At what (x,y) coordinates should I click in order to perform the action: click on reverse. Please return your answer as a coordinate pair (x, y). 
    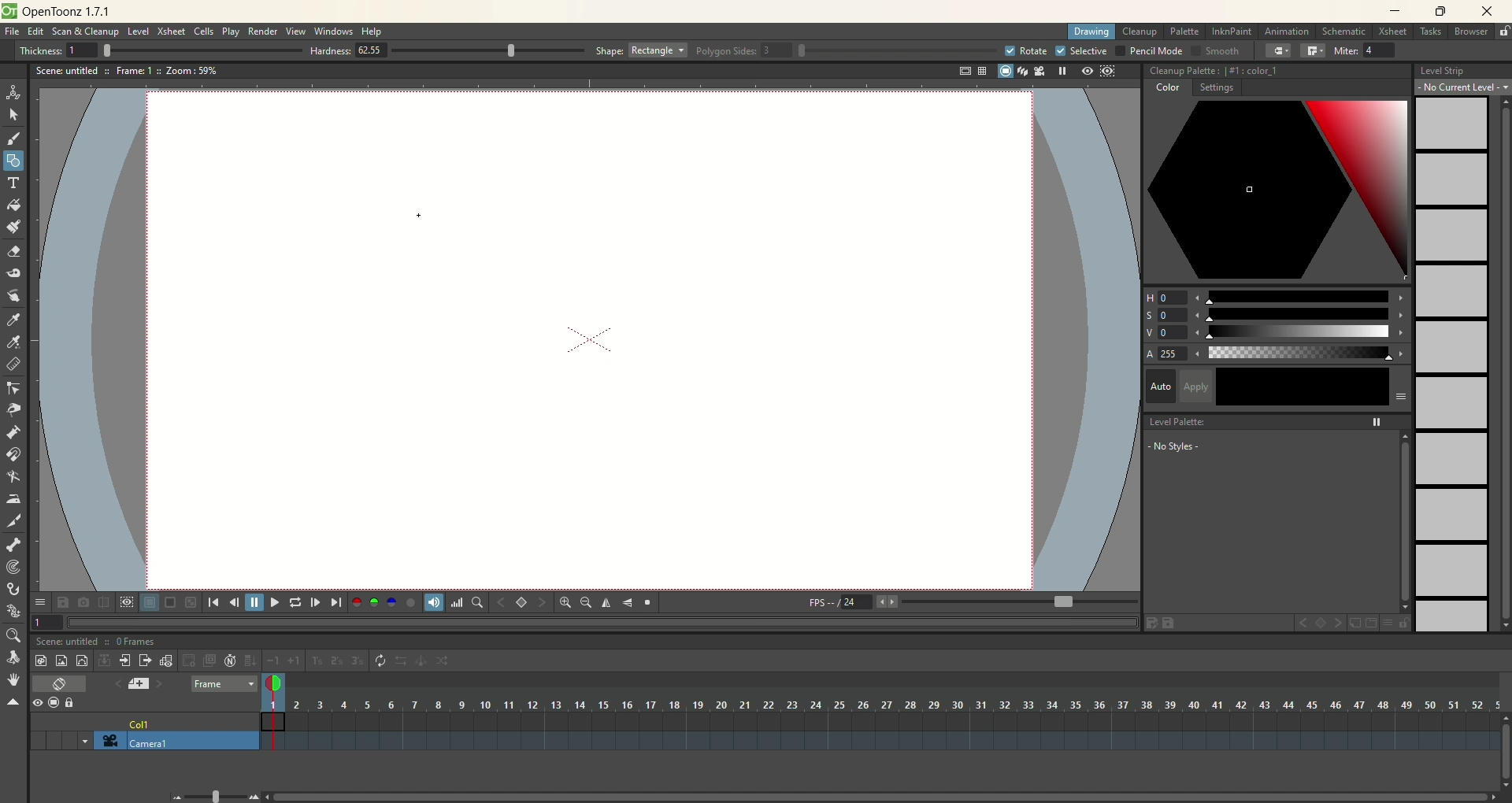
    Looking at the image, I should click on (402, 661).